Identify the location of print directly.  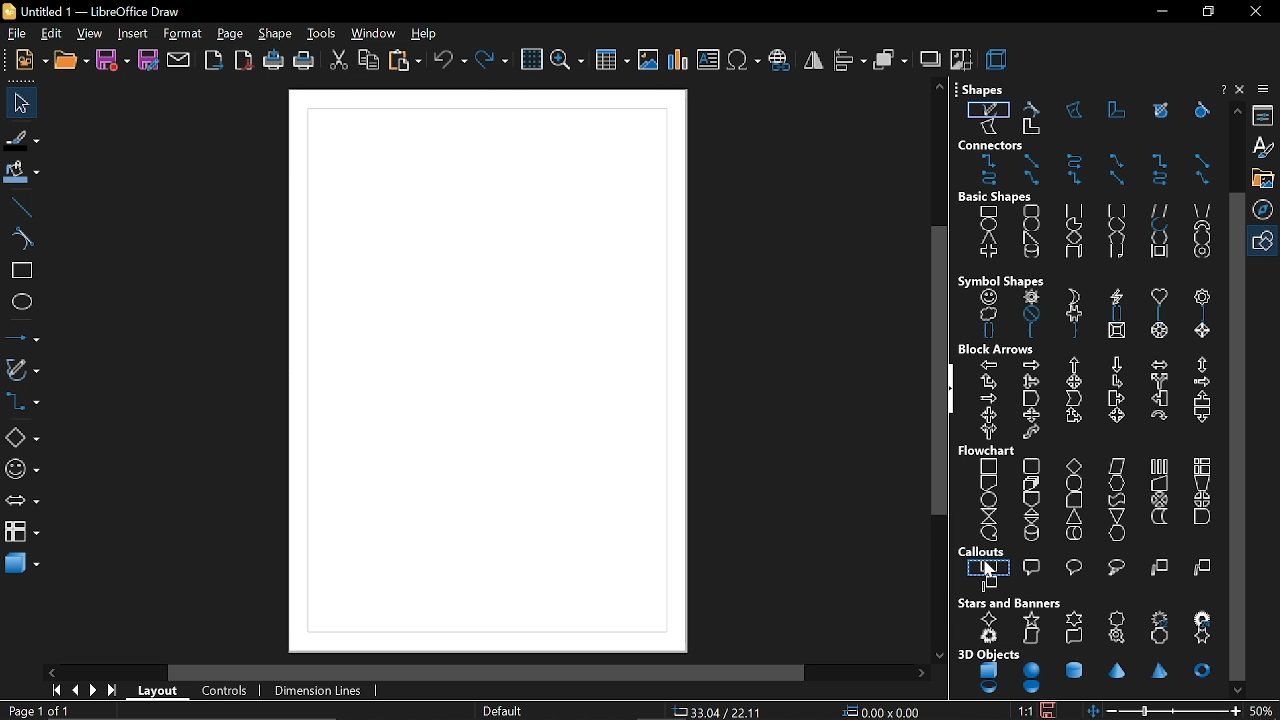
(274, 62).